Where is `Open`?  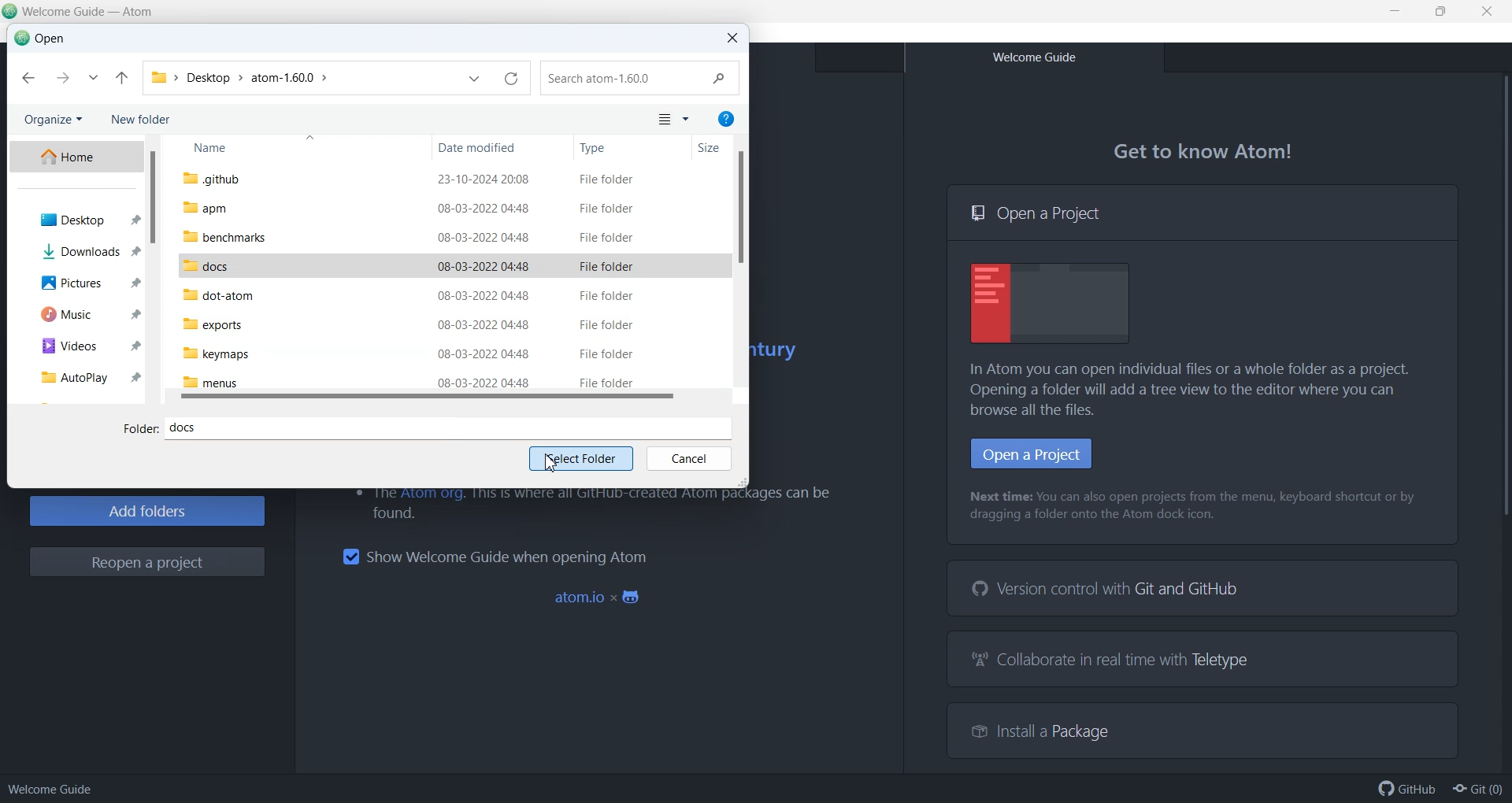 Open is located at coordinates (40, 39).